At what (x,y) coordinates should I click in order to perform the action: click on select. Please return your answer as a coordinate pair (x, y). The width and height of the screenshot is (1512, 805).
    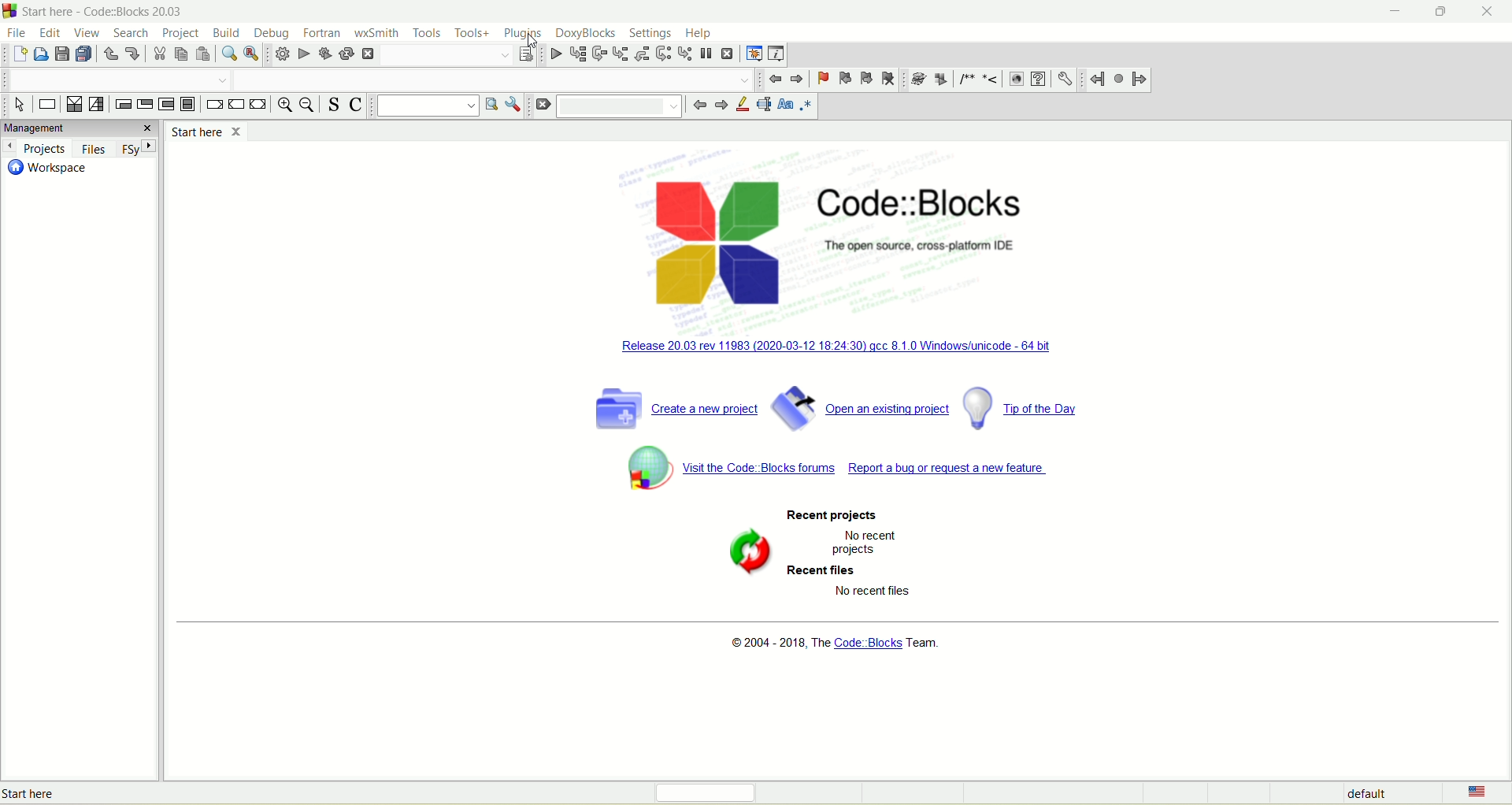
    Looking at the image, I should click on (20, 106).